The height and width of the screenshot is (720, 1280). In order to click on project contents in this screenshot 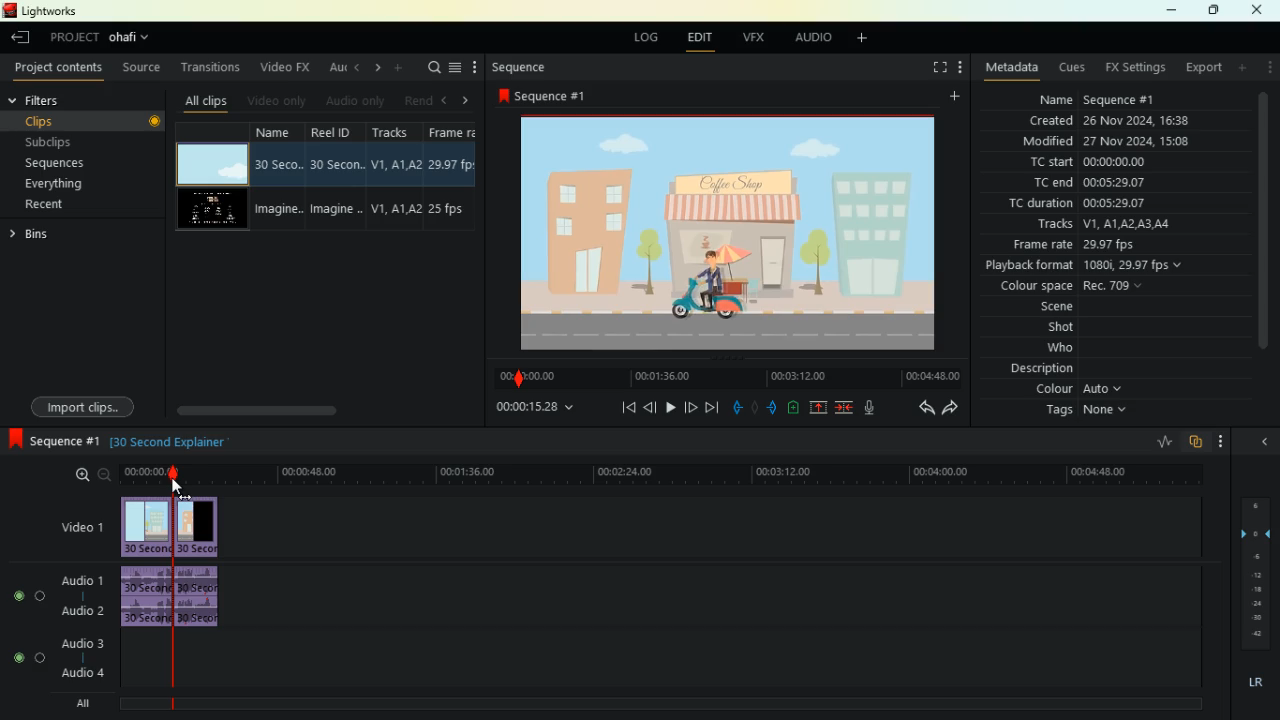, I will do `click(61, 68)`.